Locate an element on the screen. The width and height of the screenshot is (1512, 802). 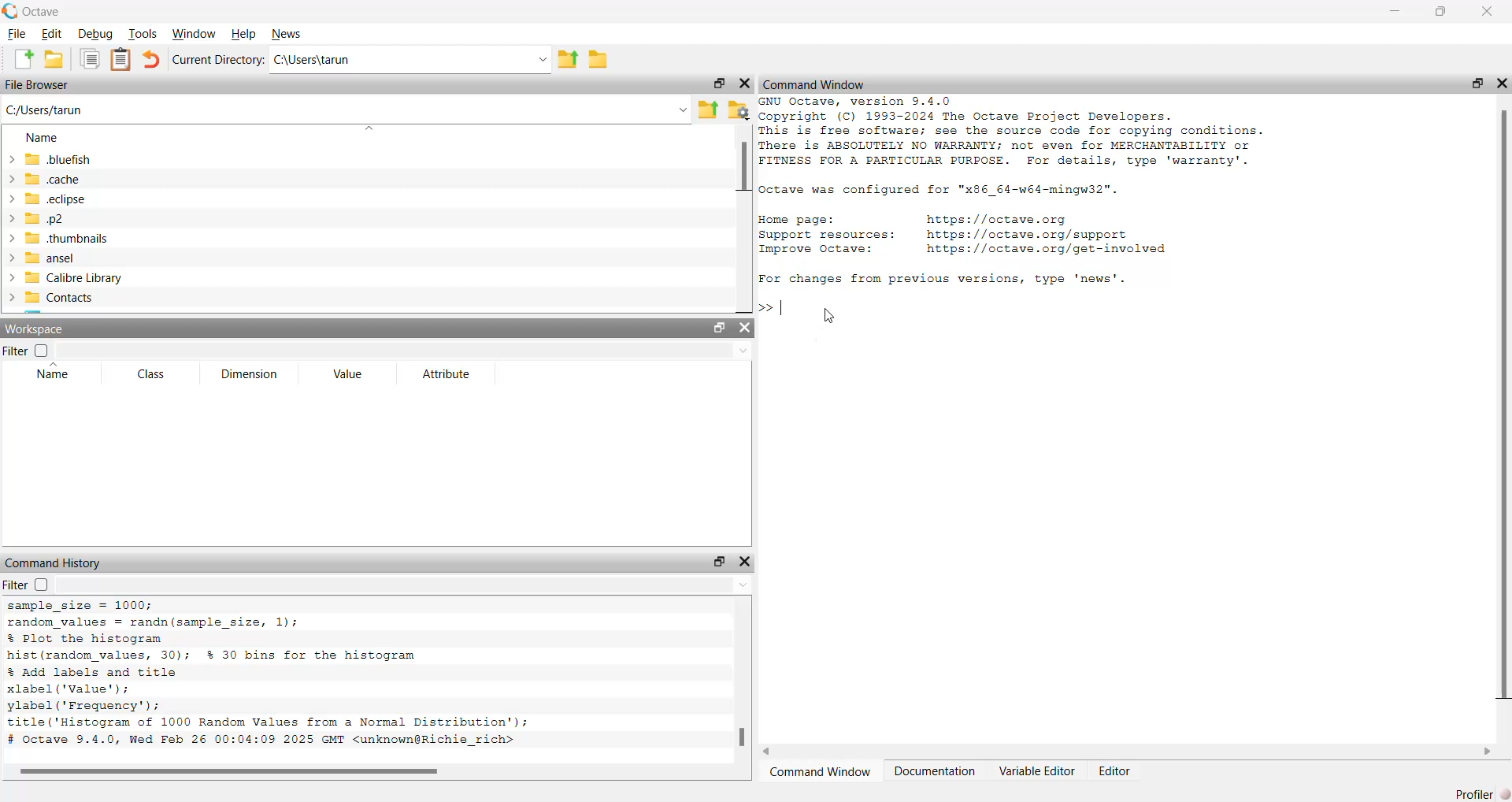
close is located at coordinates (745, 561).